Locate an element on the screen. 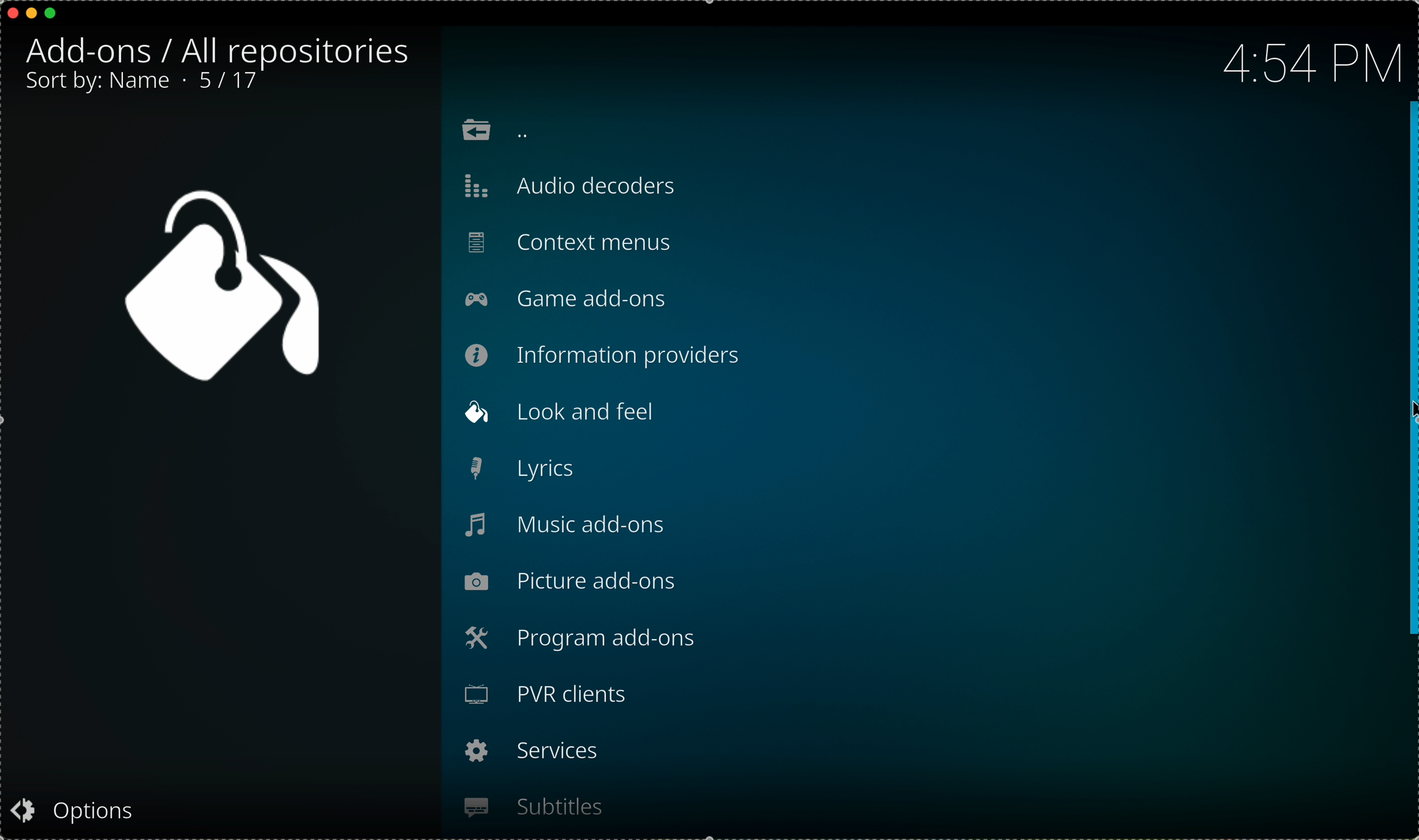 The width and height of the screenshot is (1419, 840). back is located at coordinates (495, 134).